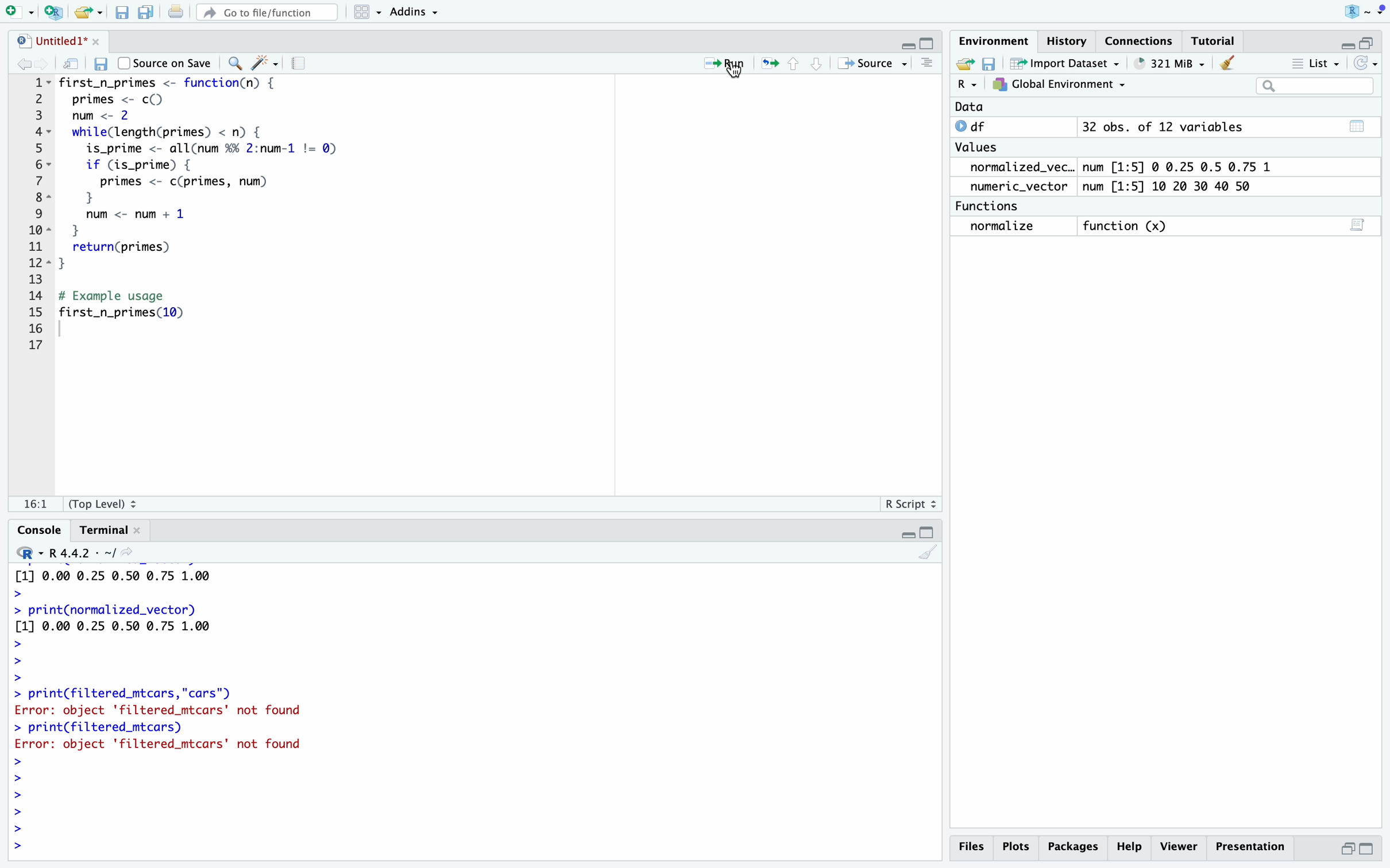 This screenshot has width=1390, height=868. I want to click on > print(normalized_vector)

[1] 0.00 0.25 0.50 0.75 1.00

>

> print(normalized_vector)

[1] 0.00 0.25 0.50 0.75 1.00

>

>

>

> print(filtered_mtcars,"cars")

Error: object 'filtered_mtcars' not found
> print(filtered_mtcars)

Error: object 'filtered_mtcars' not found
>

>

>

>

>, so click(246, 705).